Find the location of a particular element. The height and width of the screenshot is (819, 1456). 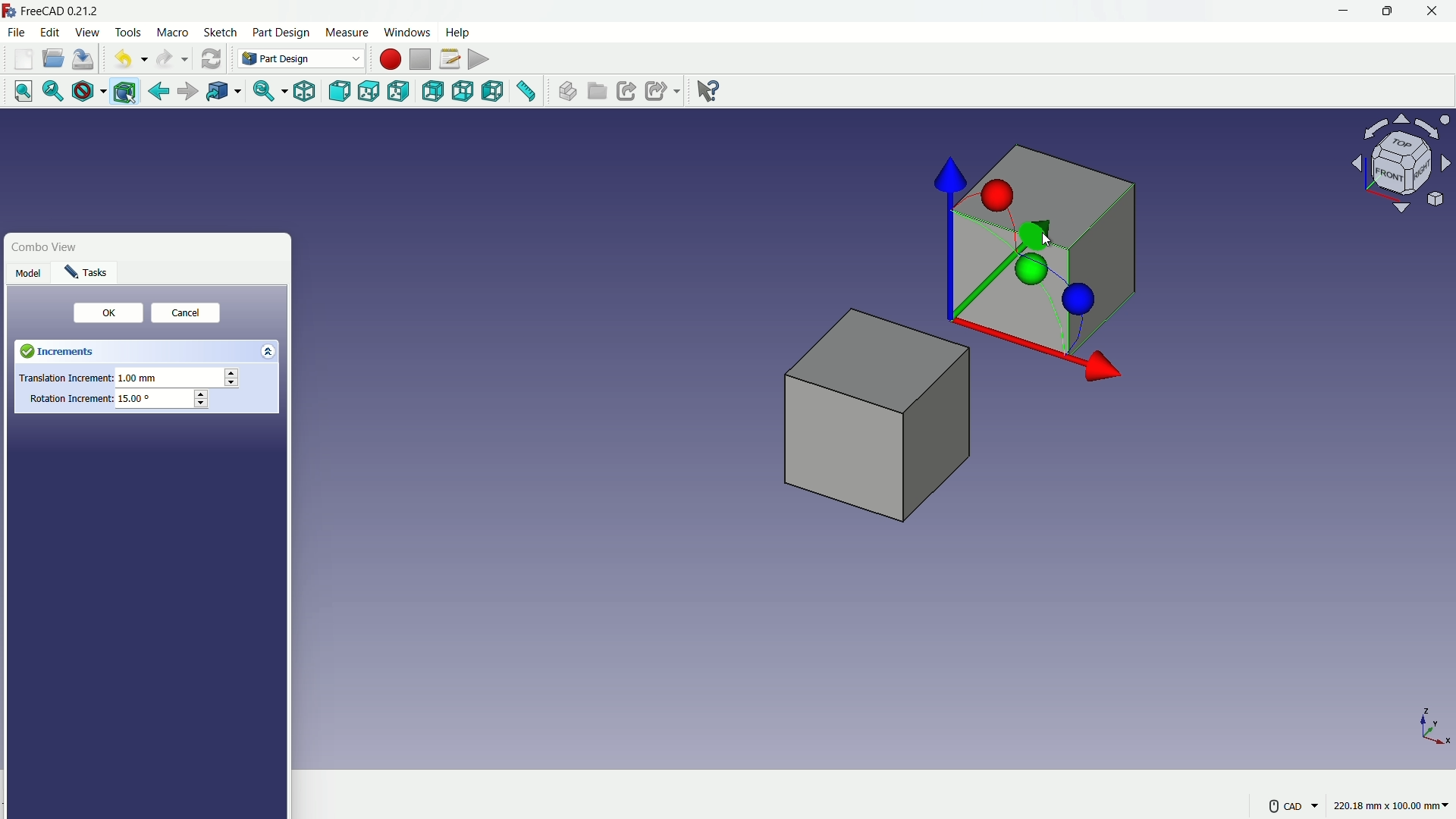

part design is located at coordinates (281, 33).